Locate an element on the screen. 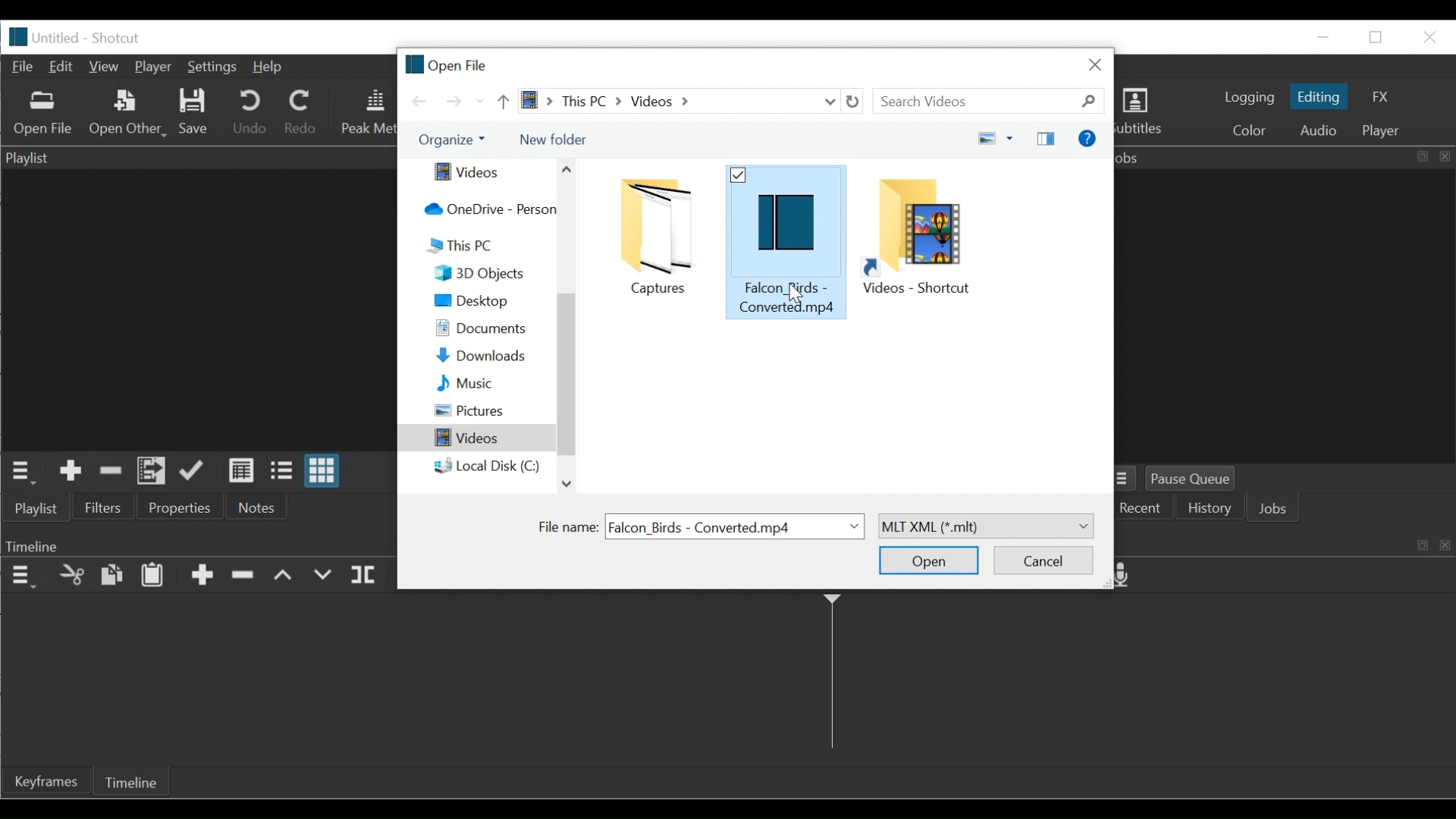  File is located at coordinates (24, 67).